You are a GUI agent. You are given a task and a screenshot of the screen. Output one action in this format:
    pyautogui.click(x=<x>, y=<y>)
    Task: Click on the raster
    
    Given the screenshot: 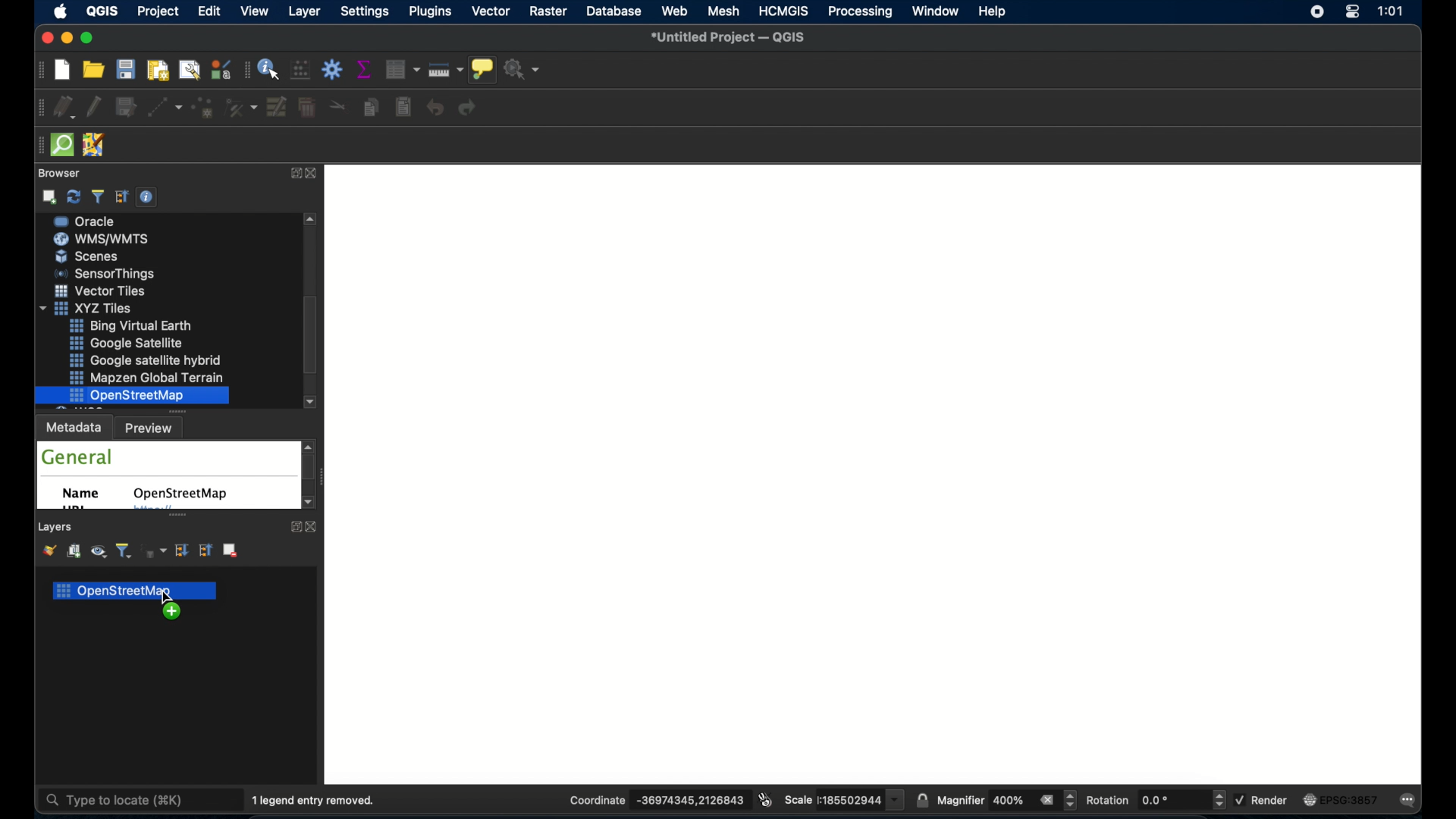 What is the action you would take?
    pyautogui.click(x=548, y=11)
    